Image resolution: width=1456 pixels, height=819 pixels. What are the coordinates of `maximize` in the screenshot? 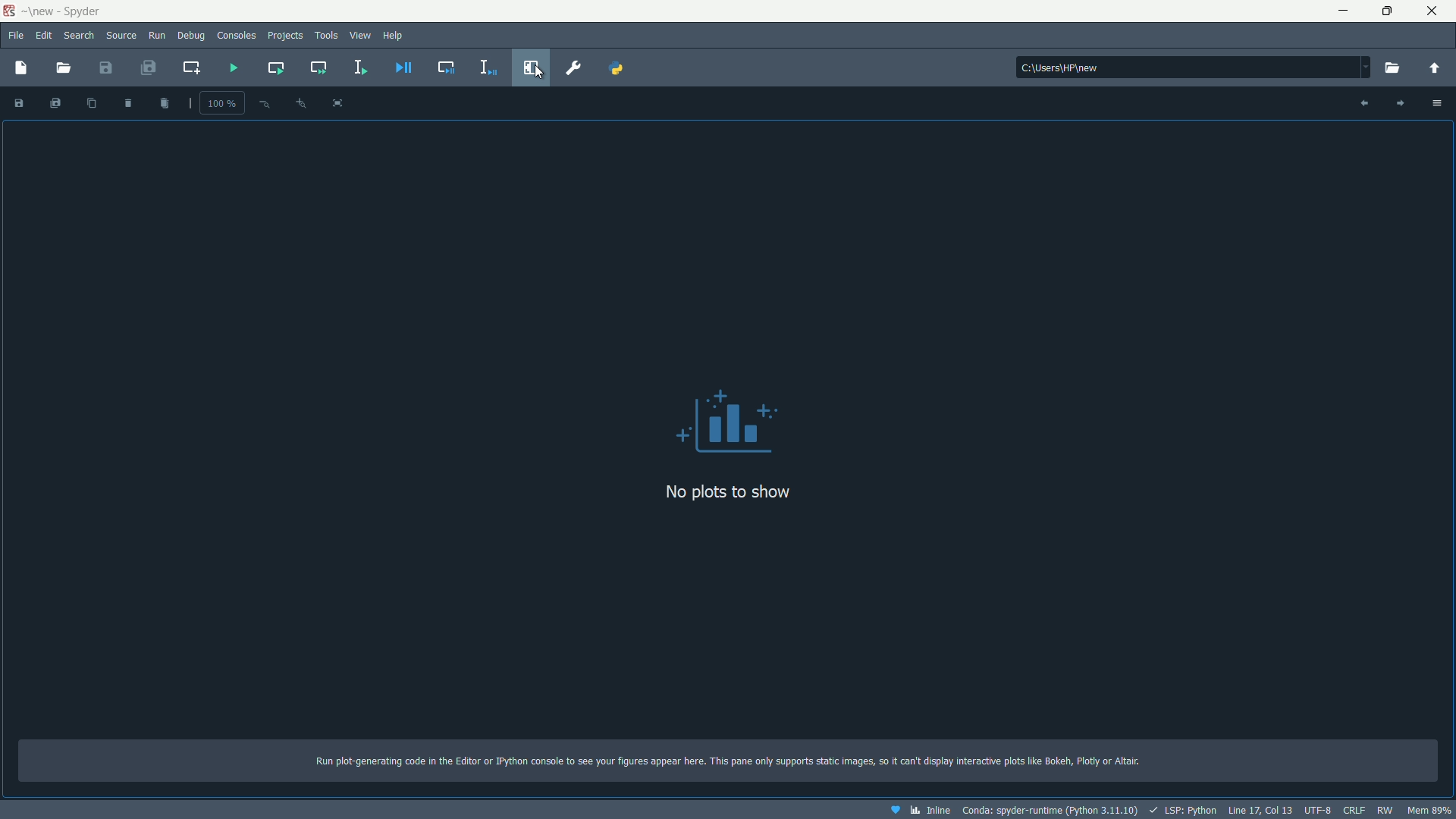 It's located at (1390, 11).